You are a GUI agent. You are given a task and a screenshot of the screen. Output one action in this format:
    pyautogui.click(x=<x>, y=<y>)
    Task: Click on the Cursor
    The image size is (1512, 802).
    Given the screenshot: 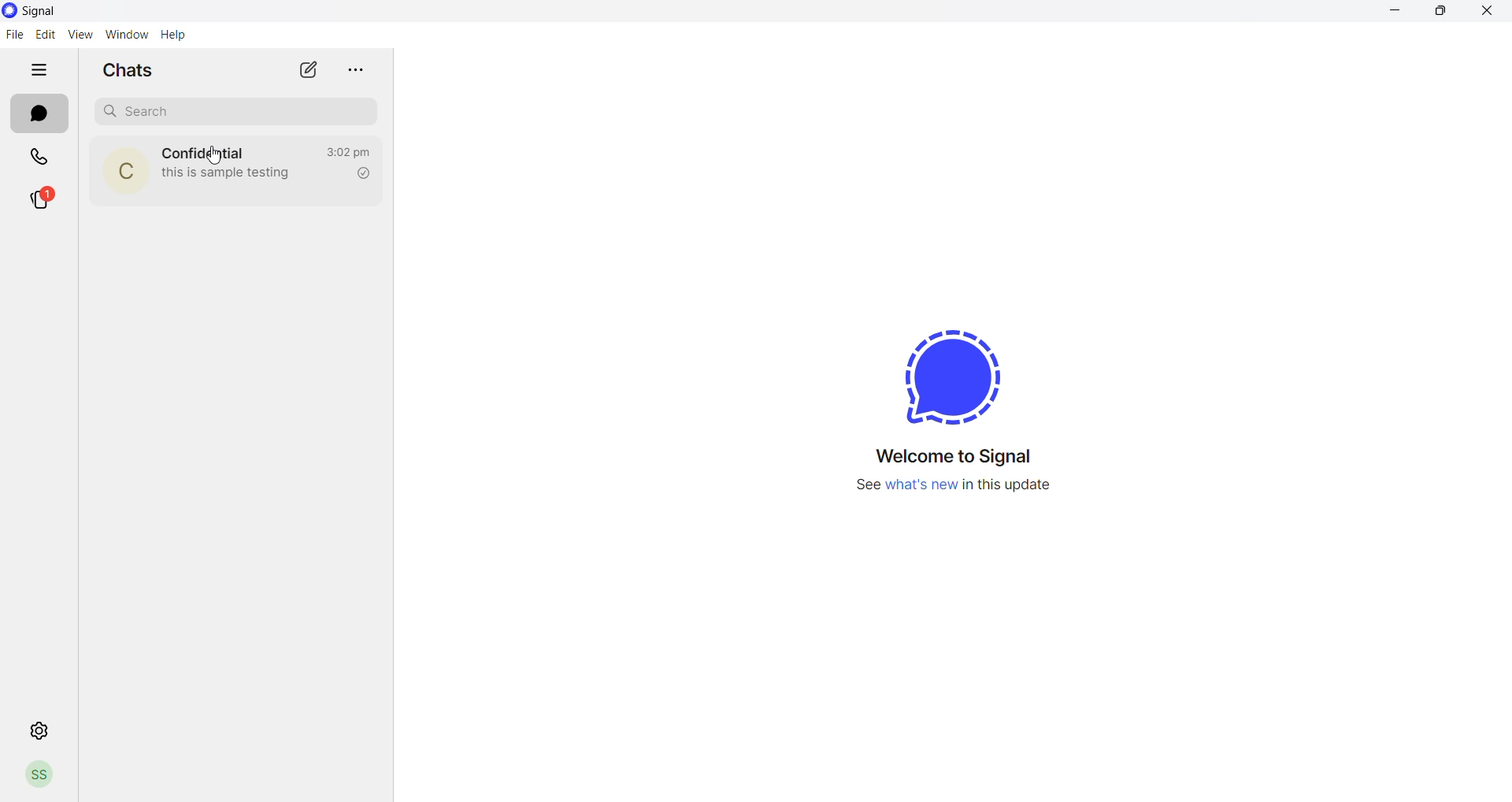 What is the action you would take?
    pyautogui.click(x=219, y=157)
    